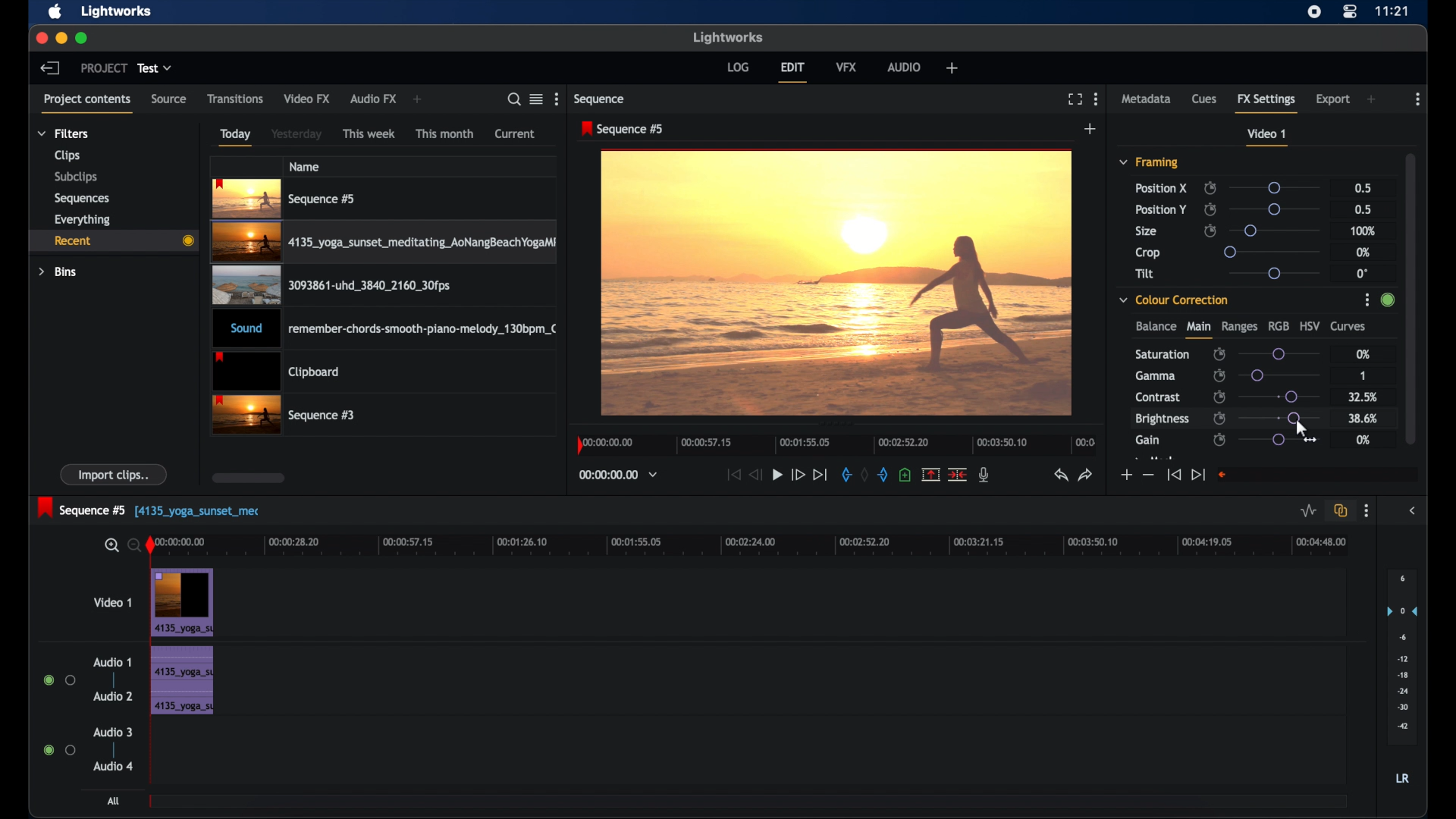  I want to click on video fx, so click(306, 99).